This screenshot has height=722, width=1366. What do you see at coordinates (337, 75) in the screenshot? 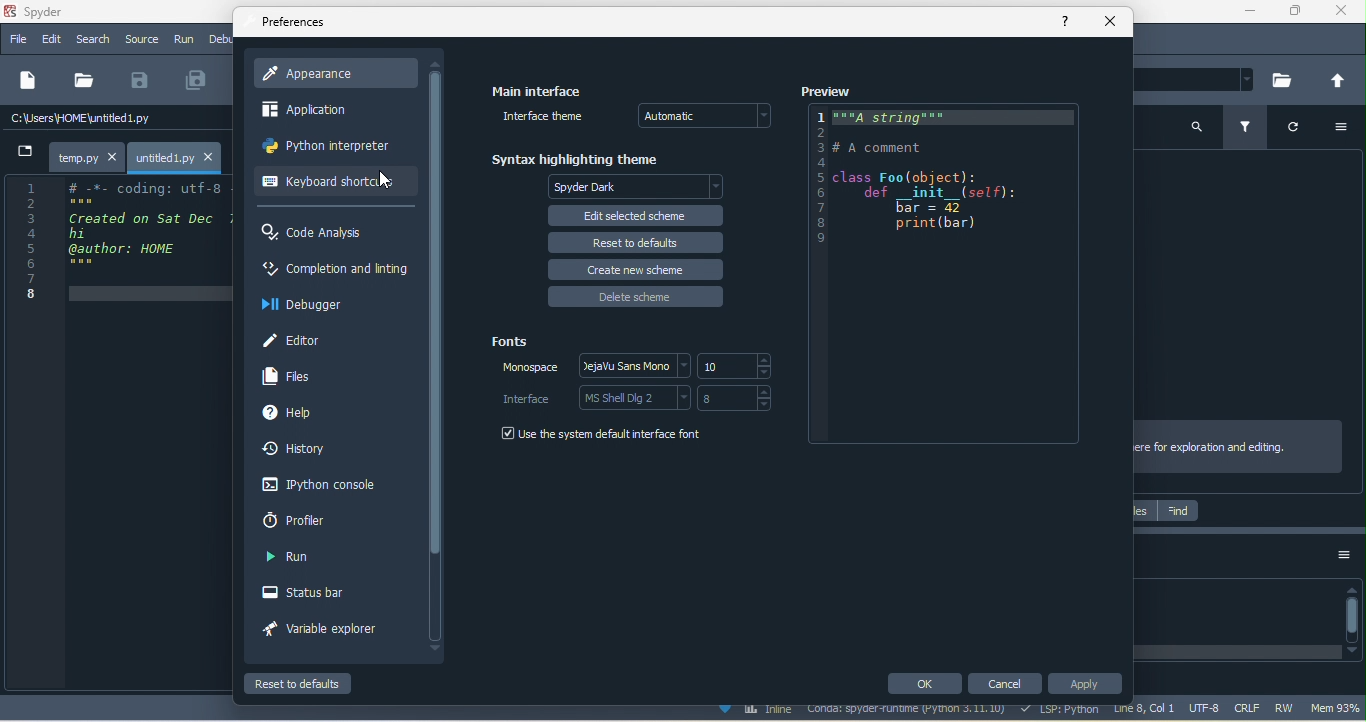
I see `appearence` at bounding box center [337, 75].